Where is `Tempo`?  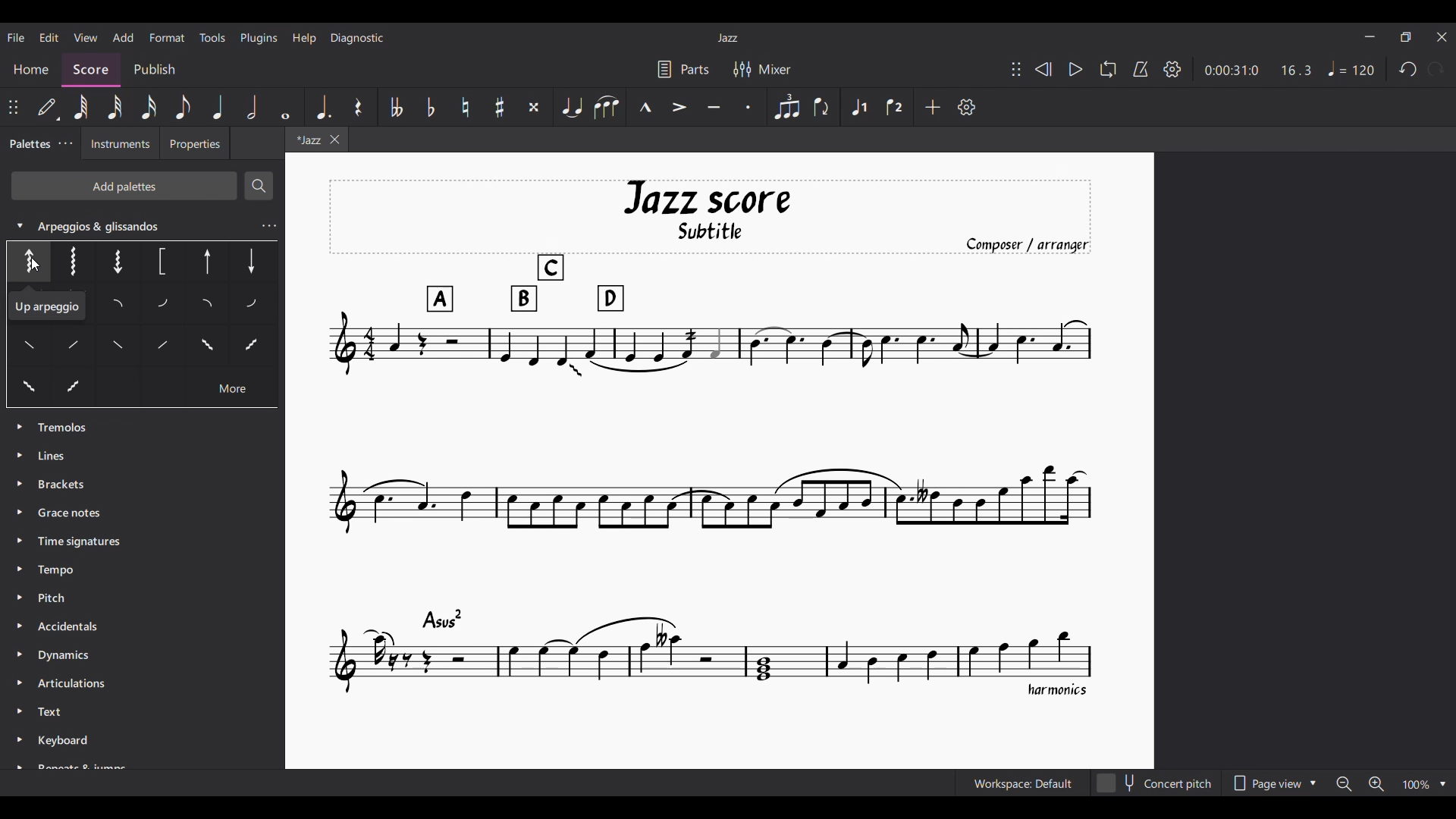
Tempo is located at coordinates (59, 568).